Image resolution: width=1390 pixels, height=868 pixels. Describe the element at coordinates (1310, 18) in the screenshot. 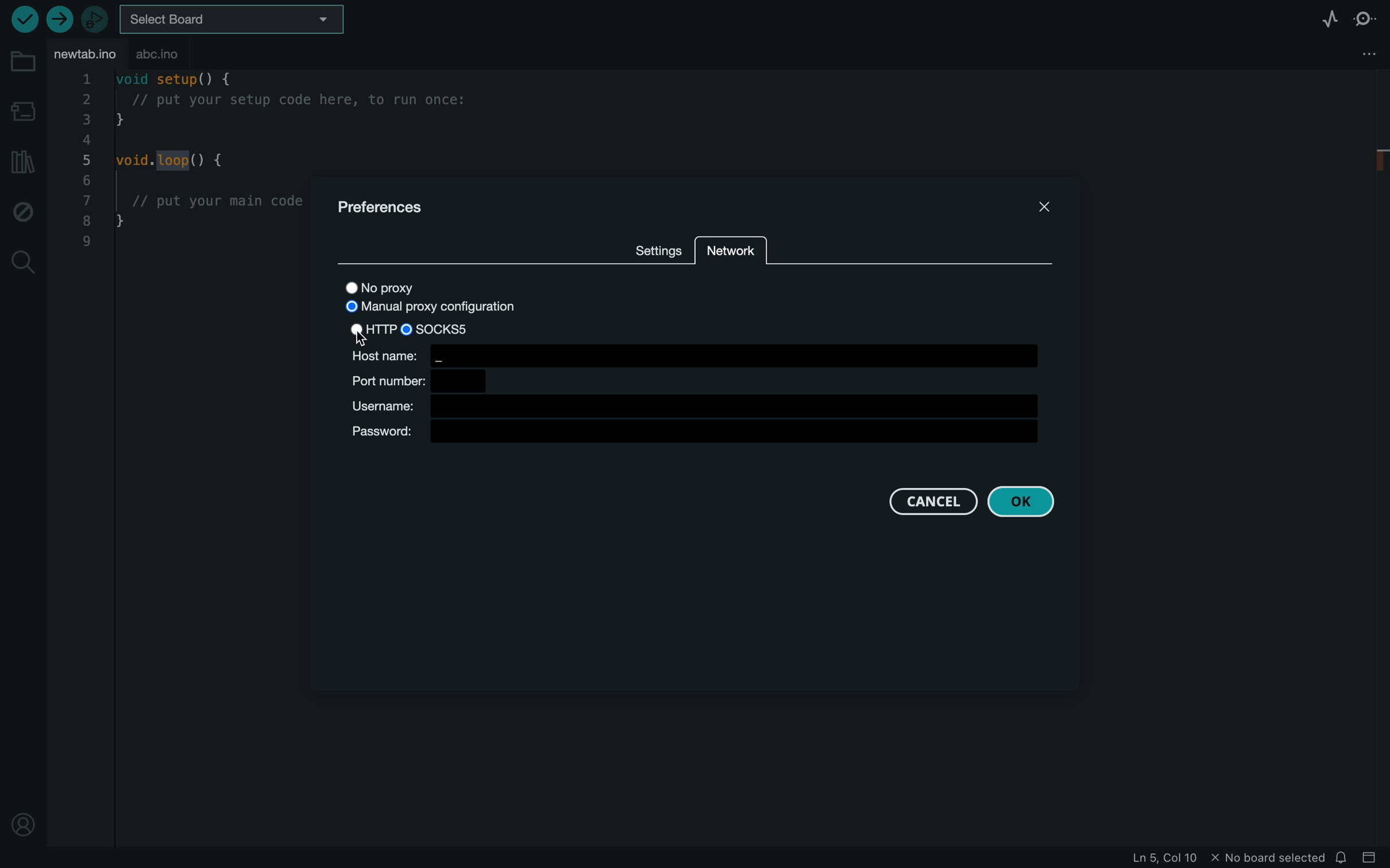

I see `serial plotter` at that location.